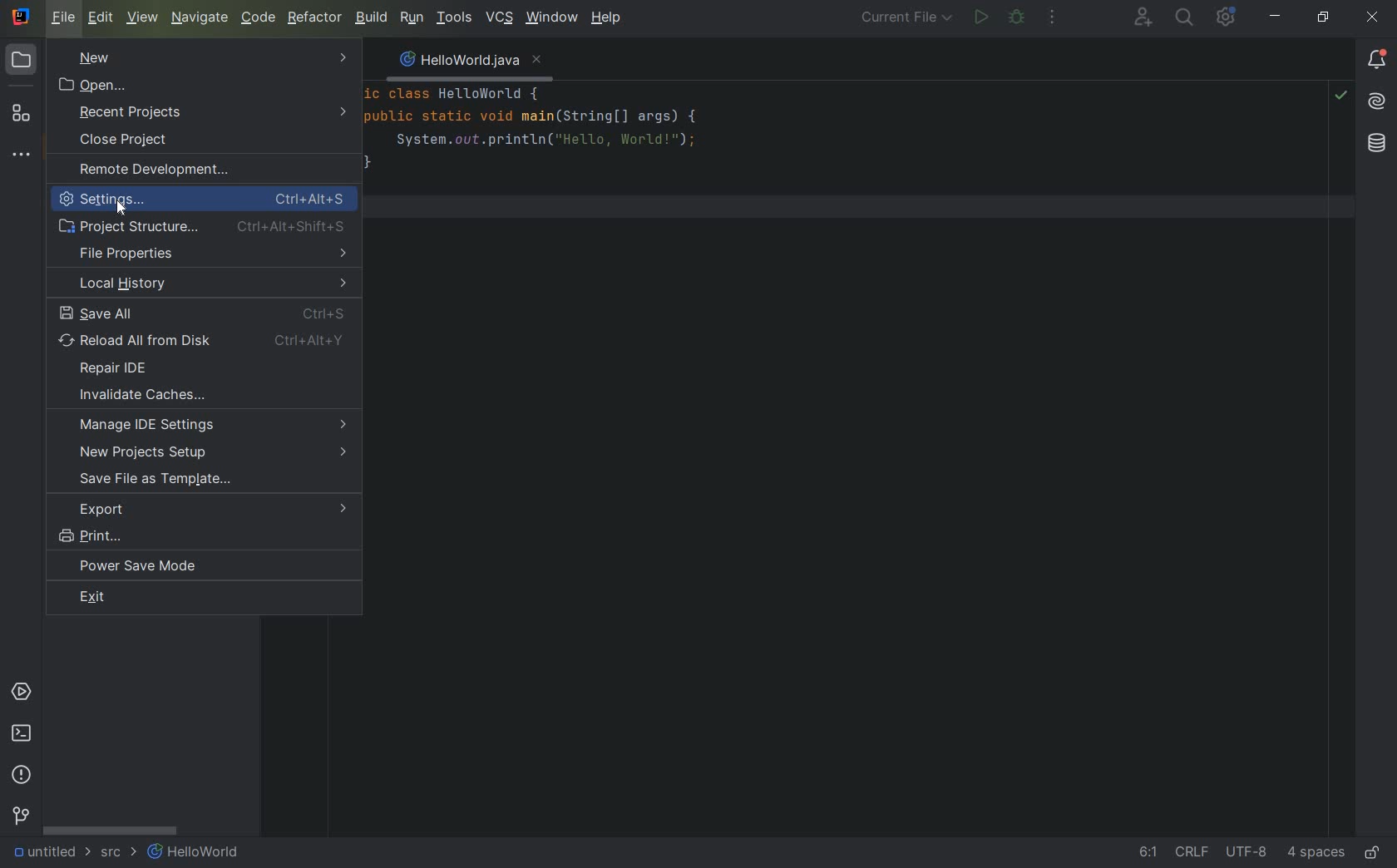  I want to click on VCS, so click(499, 18).